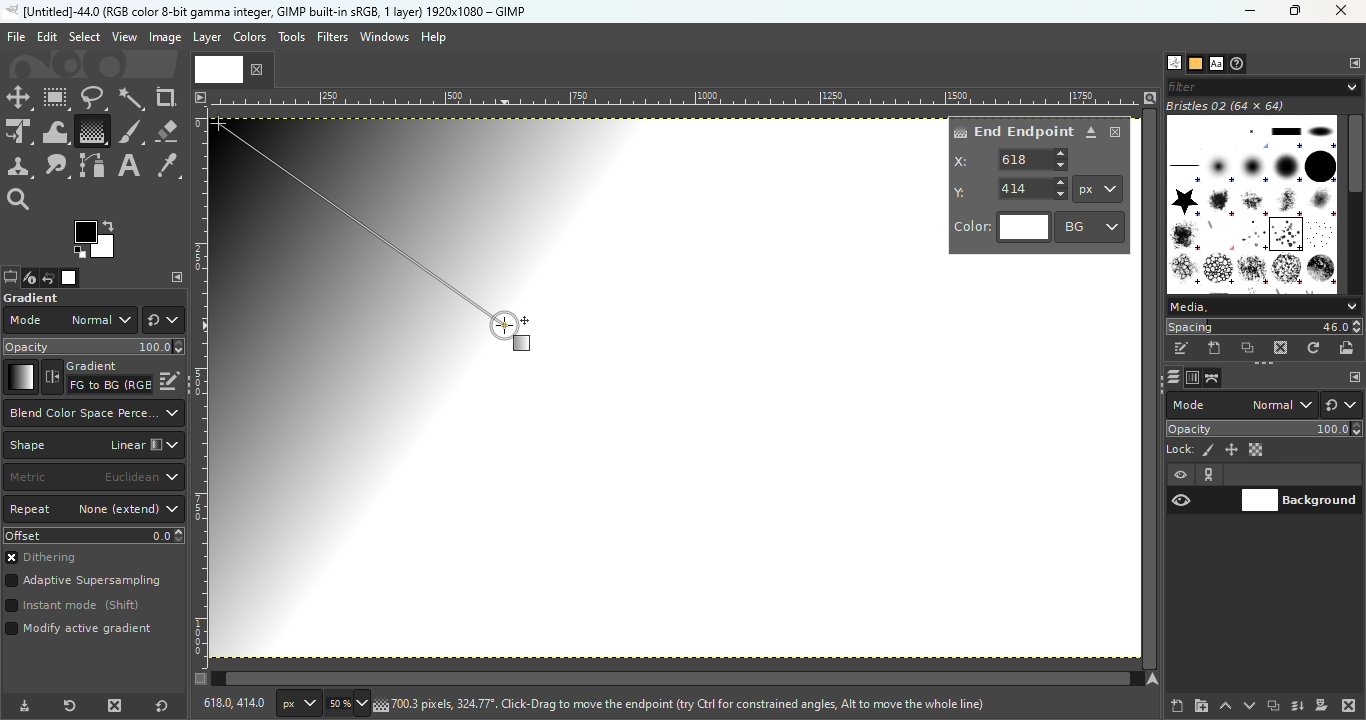  Describe the element at coordinates (177, 277) in the screenshot. I see `Configure this tab` at that location.